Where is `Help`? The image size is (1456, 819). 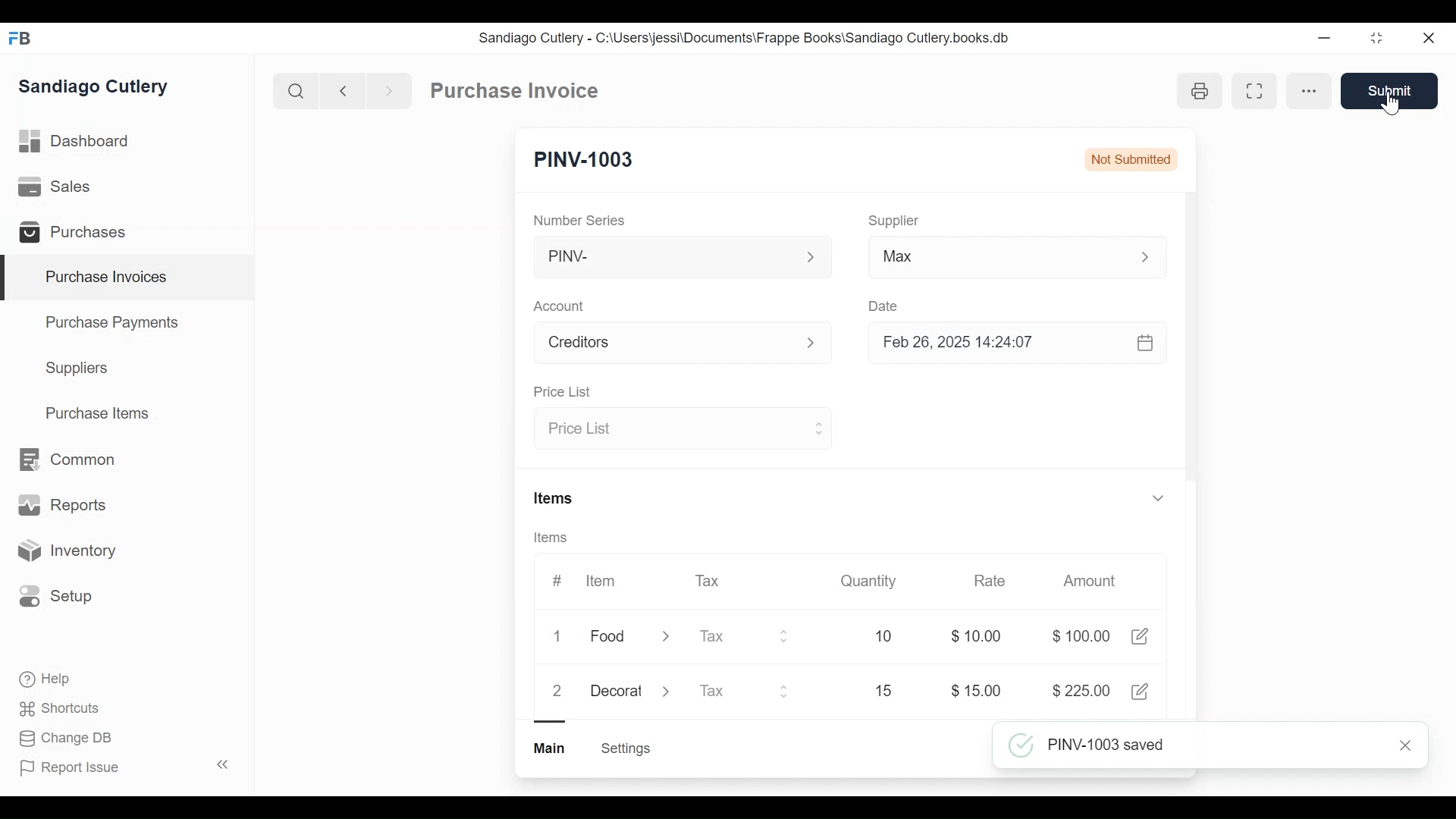 Help is located at coordinates (46, 679).